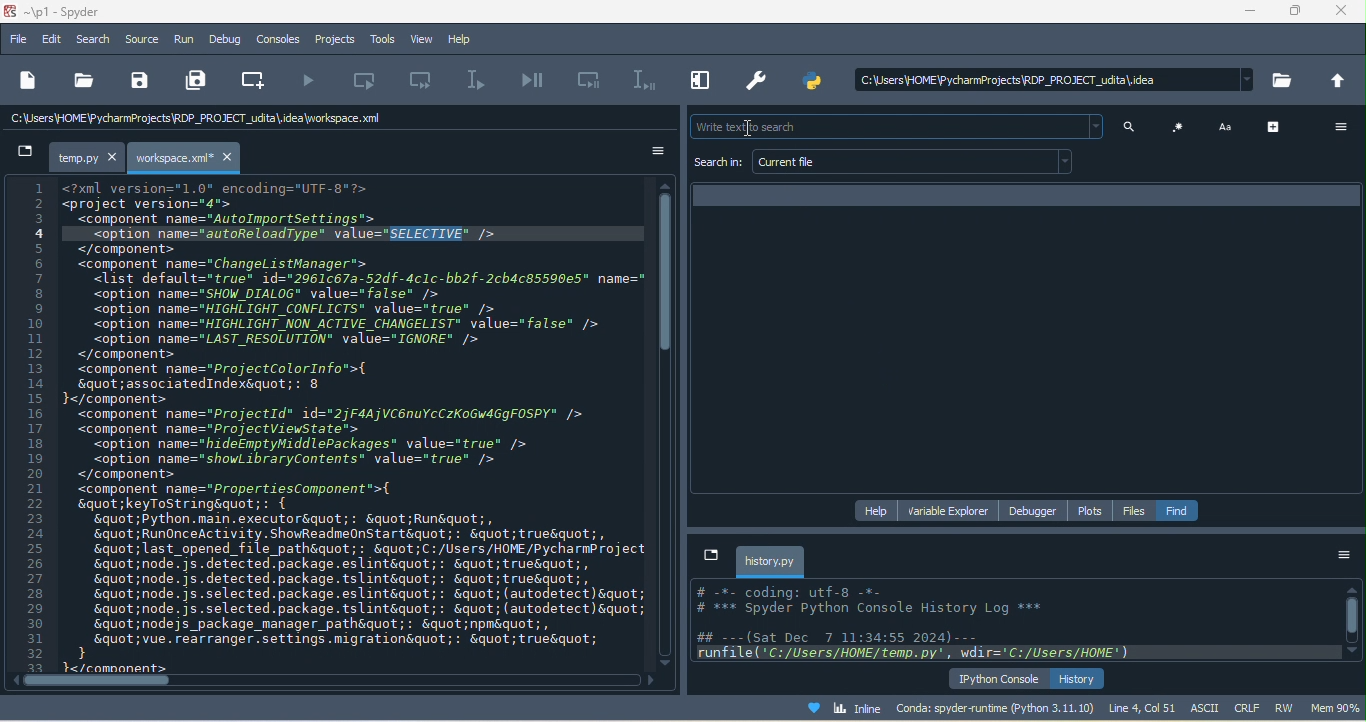 Image resolution: width=1366 pixels, height=722 pixels. I want to click on cursor, so click(753, 131).